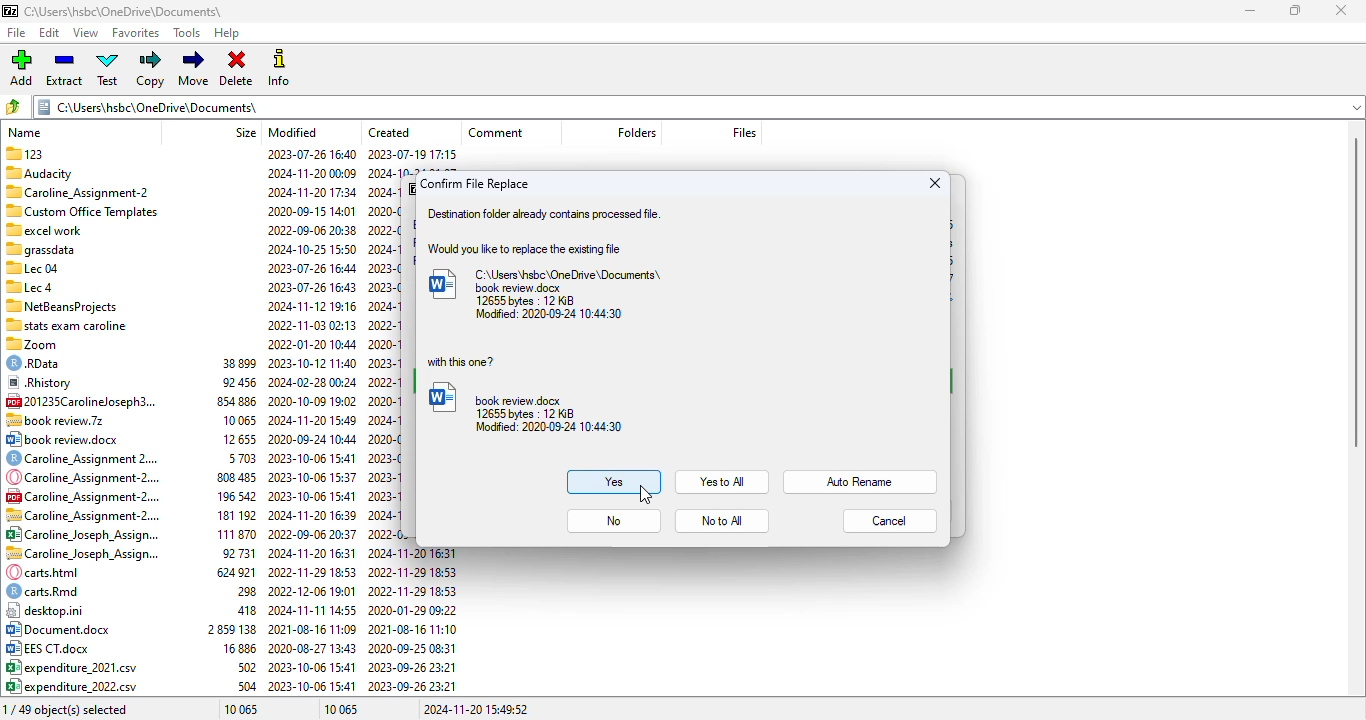 This screenshot has width=1366, height=720. Describe the element at coordinates (36, 343) in the screenshot. I see `zoom` at that location.